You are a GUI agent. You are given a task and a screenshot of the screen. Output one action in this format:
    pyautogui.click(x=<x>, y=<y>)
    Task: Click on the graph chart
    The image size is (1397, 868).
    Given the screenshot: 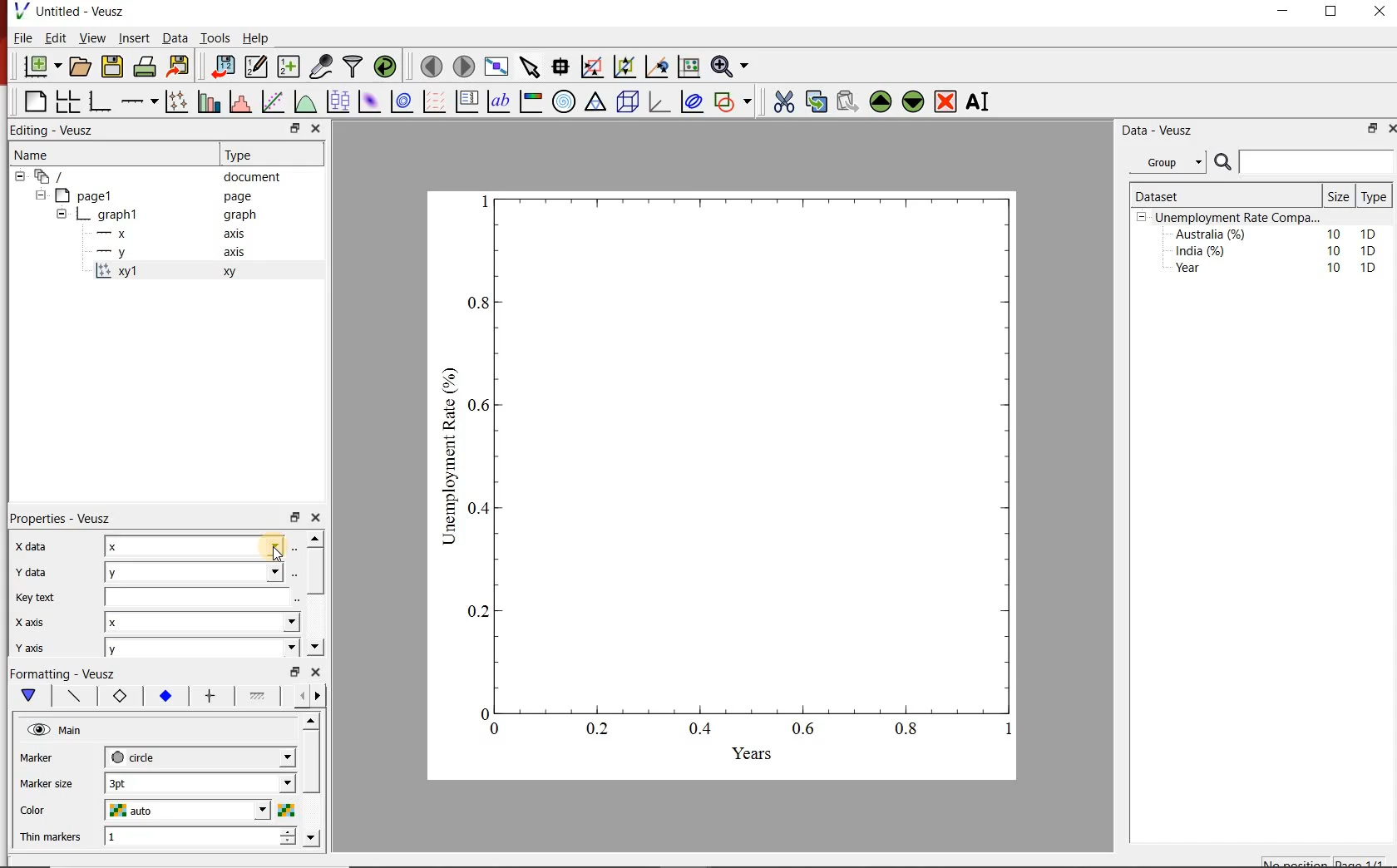 What is the action you would take?
    pyautogui.click(x=723, y=486)
    